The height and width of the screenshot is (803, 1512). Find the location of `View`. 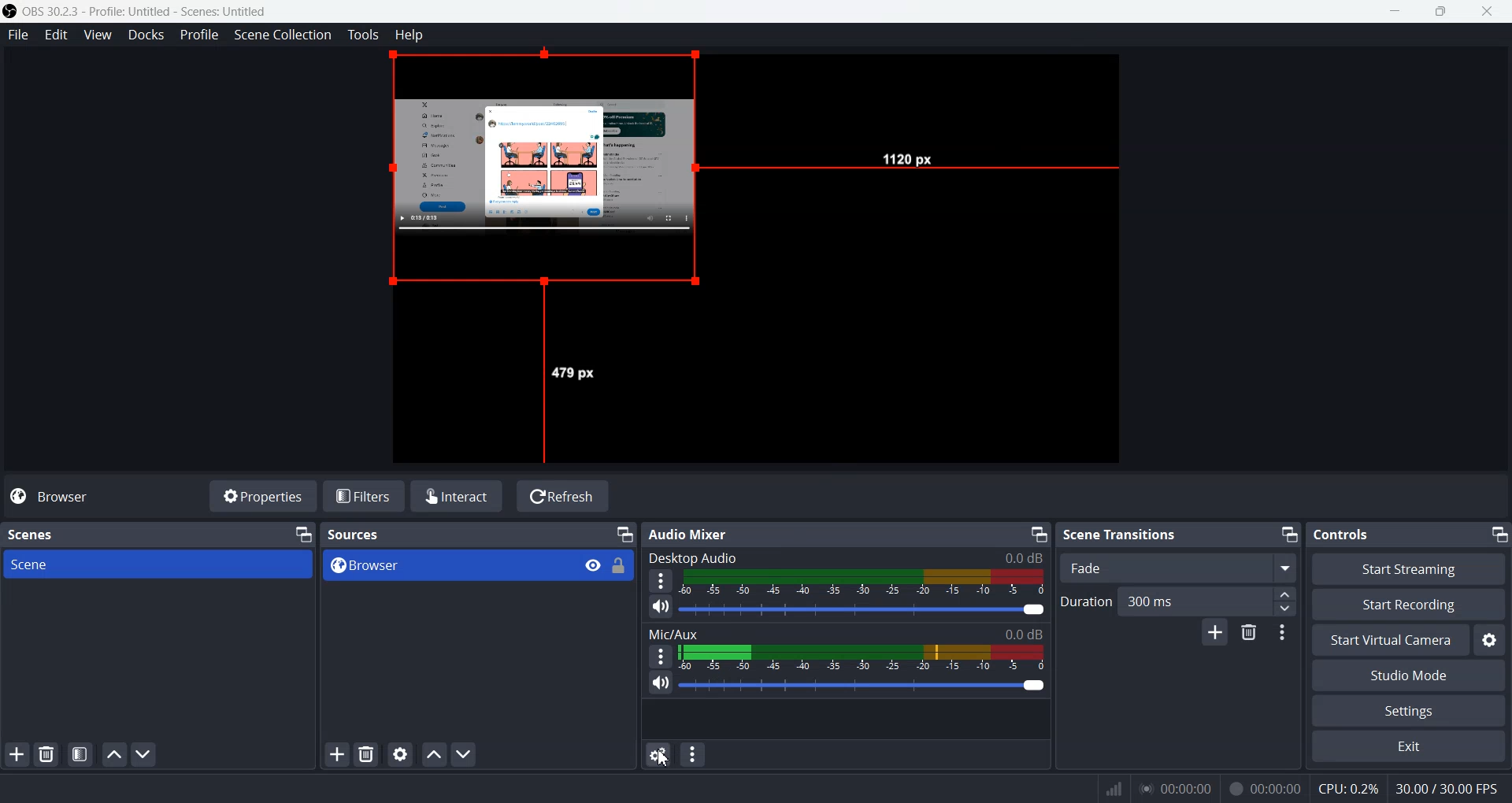

View is located at coordinates (594, 564).